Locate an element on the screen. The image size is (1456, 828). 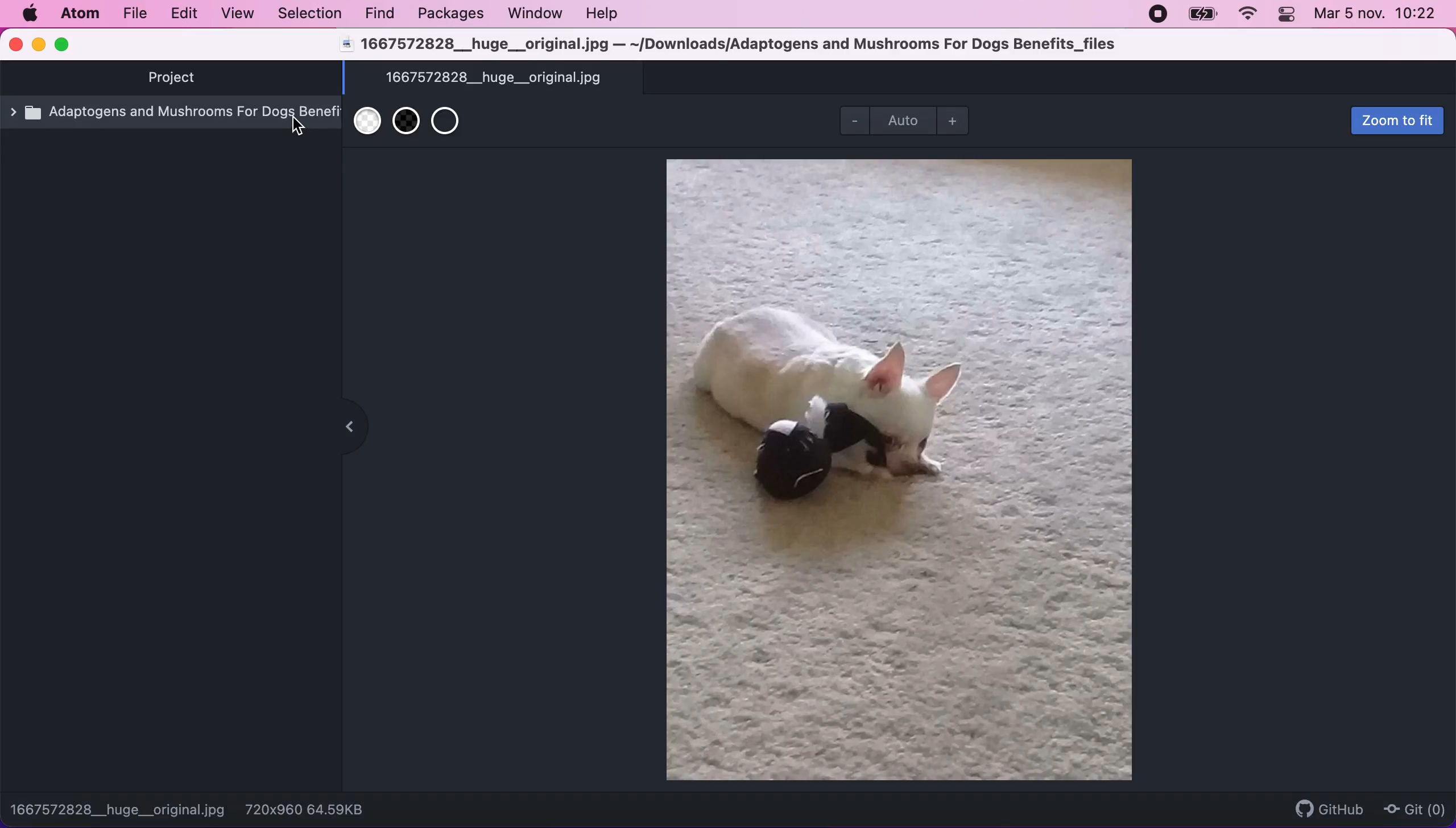
1667572828__huge__original.jpg is located at coordinates (119, 809).